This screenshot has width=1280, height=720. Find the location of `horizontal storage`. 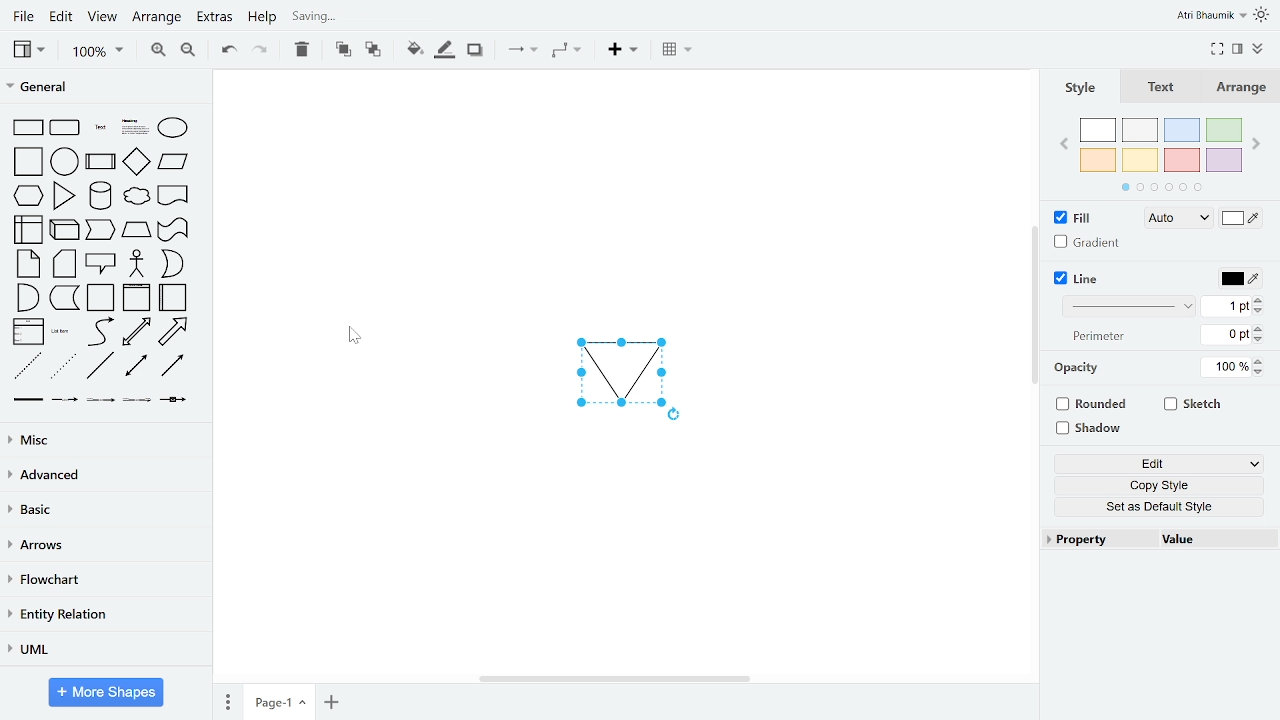

horizontal storage is located at coordinates (174, 298).